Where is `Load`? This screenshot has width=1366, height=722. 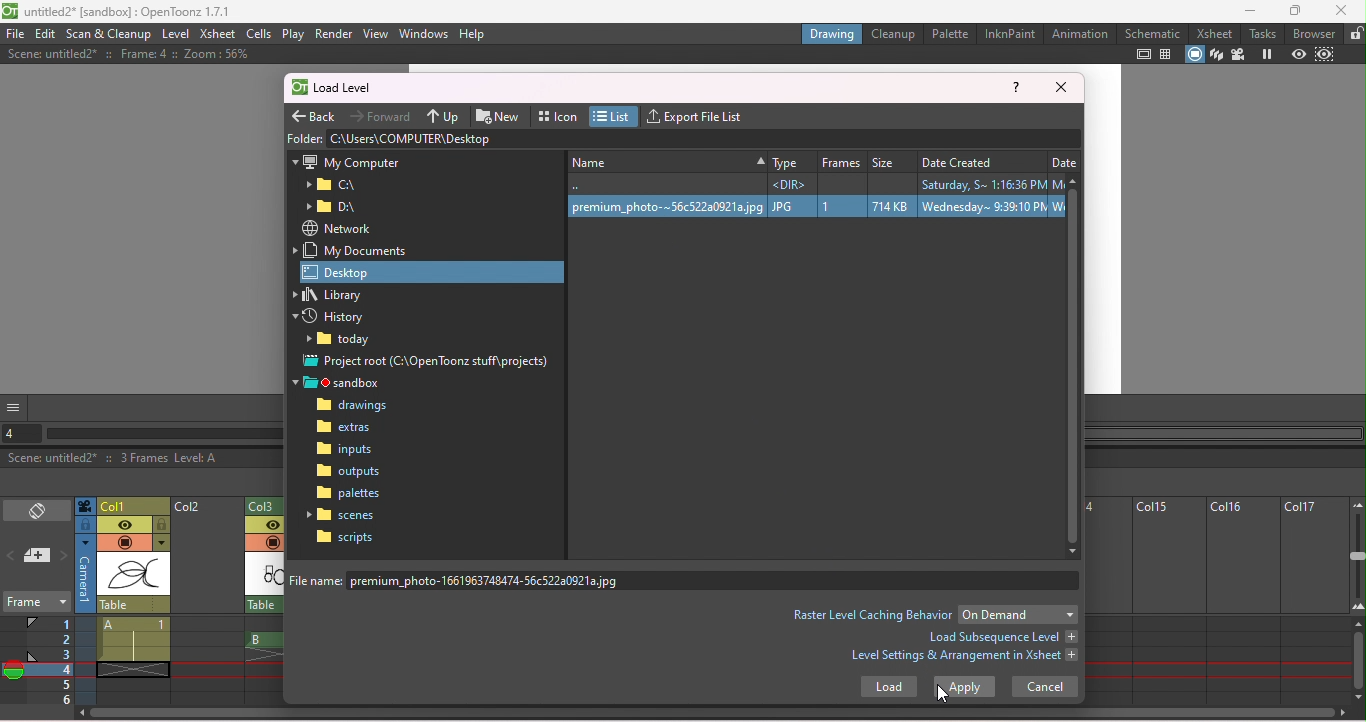
Load is located at coordinates (888, 689).